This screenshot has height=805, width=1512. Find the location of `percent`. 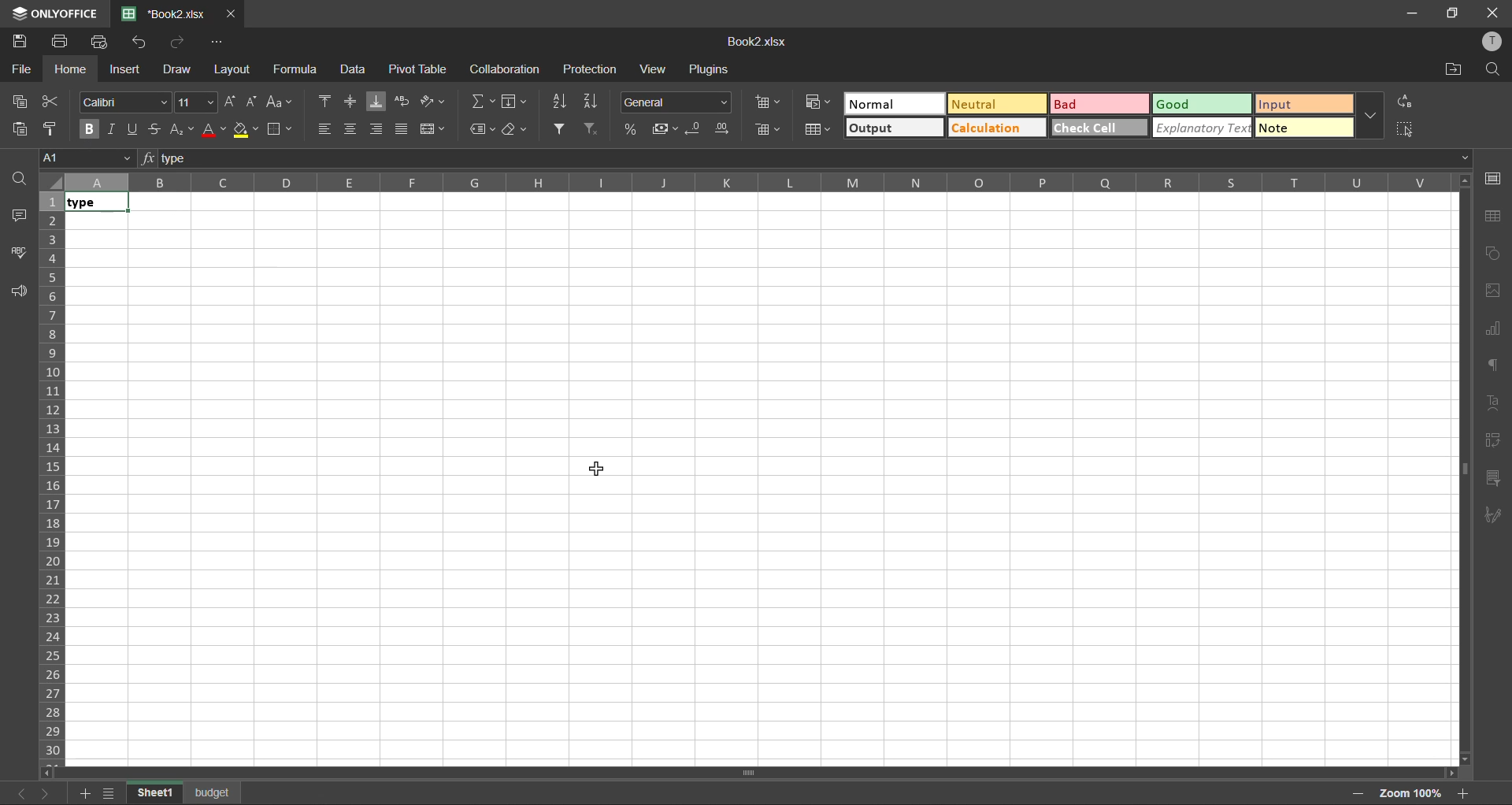

percent is located at coordinates (632, 128).